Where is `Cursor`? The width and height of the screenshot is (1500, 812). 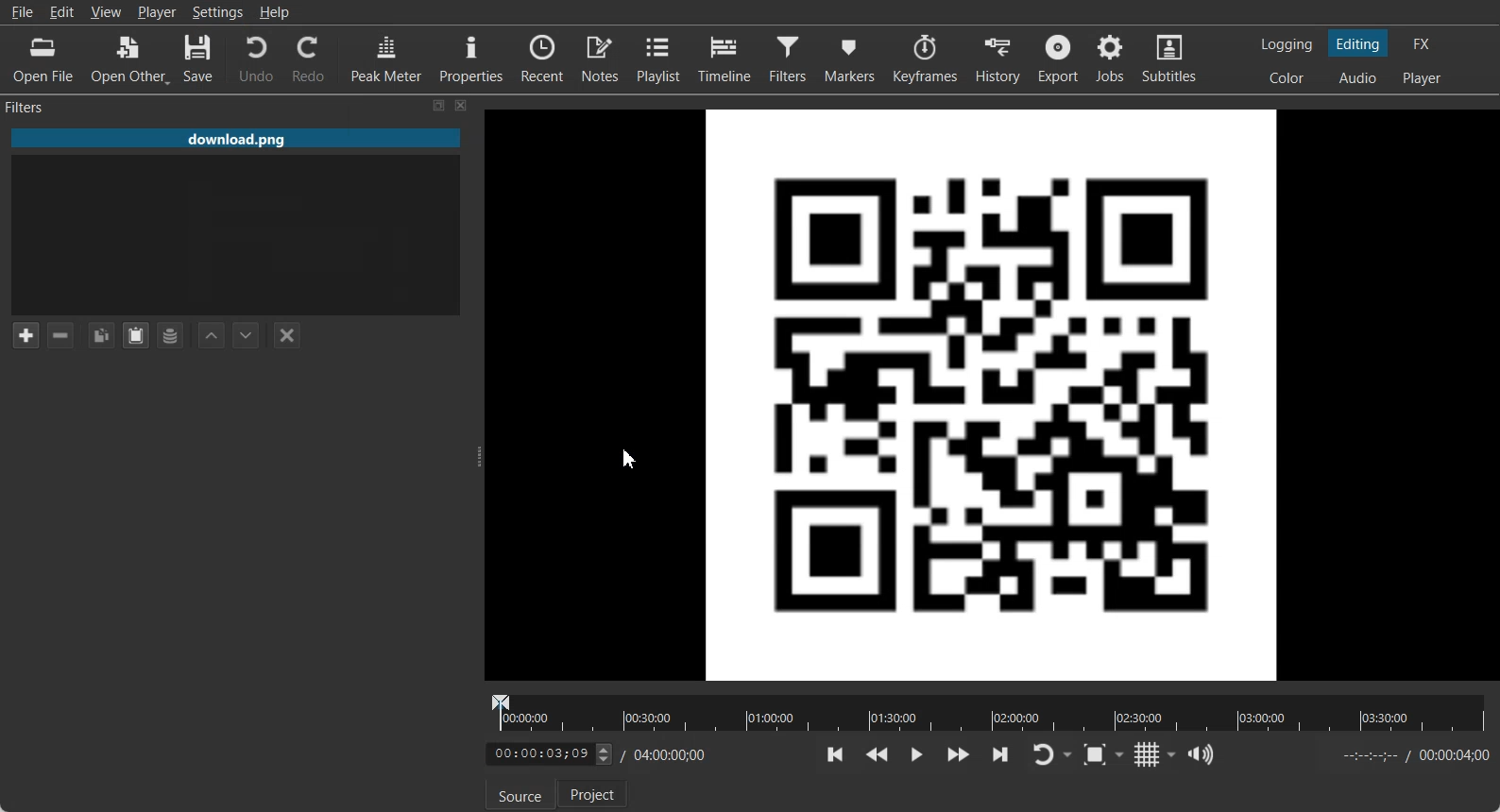
Cursor is located at coordinates (634, 458).